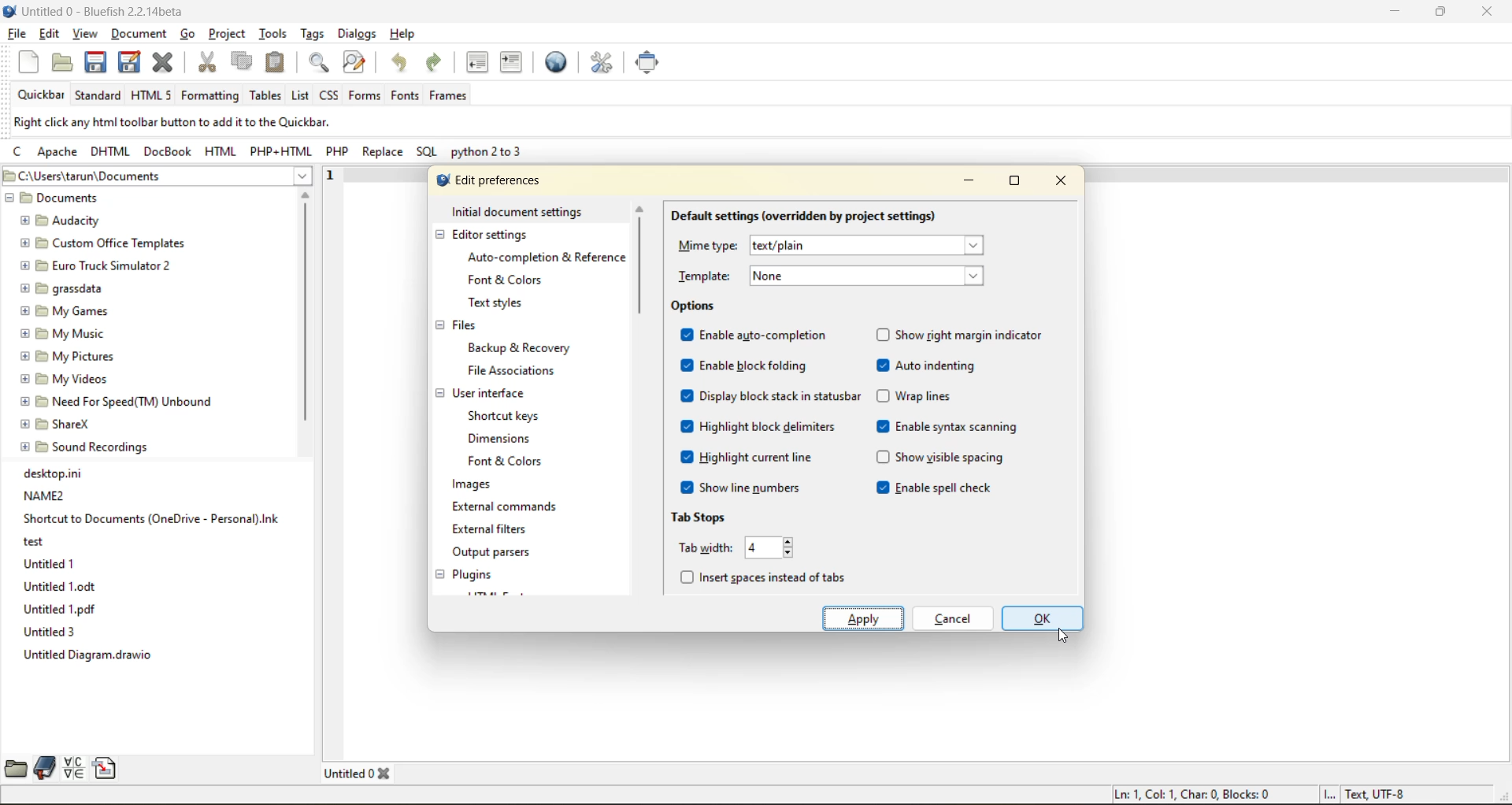 The image size is (1512, 805). I want to click on show visible spacing, so click(941, 460).